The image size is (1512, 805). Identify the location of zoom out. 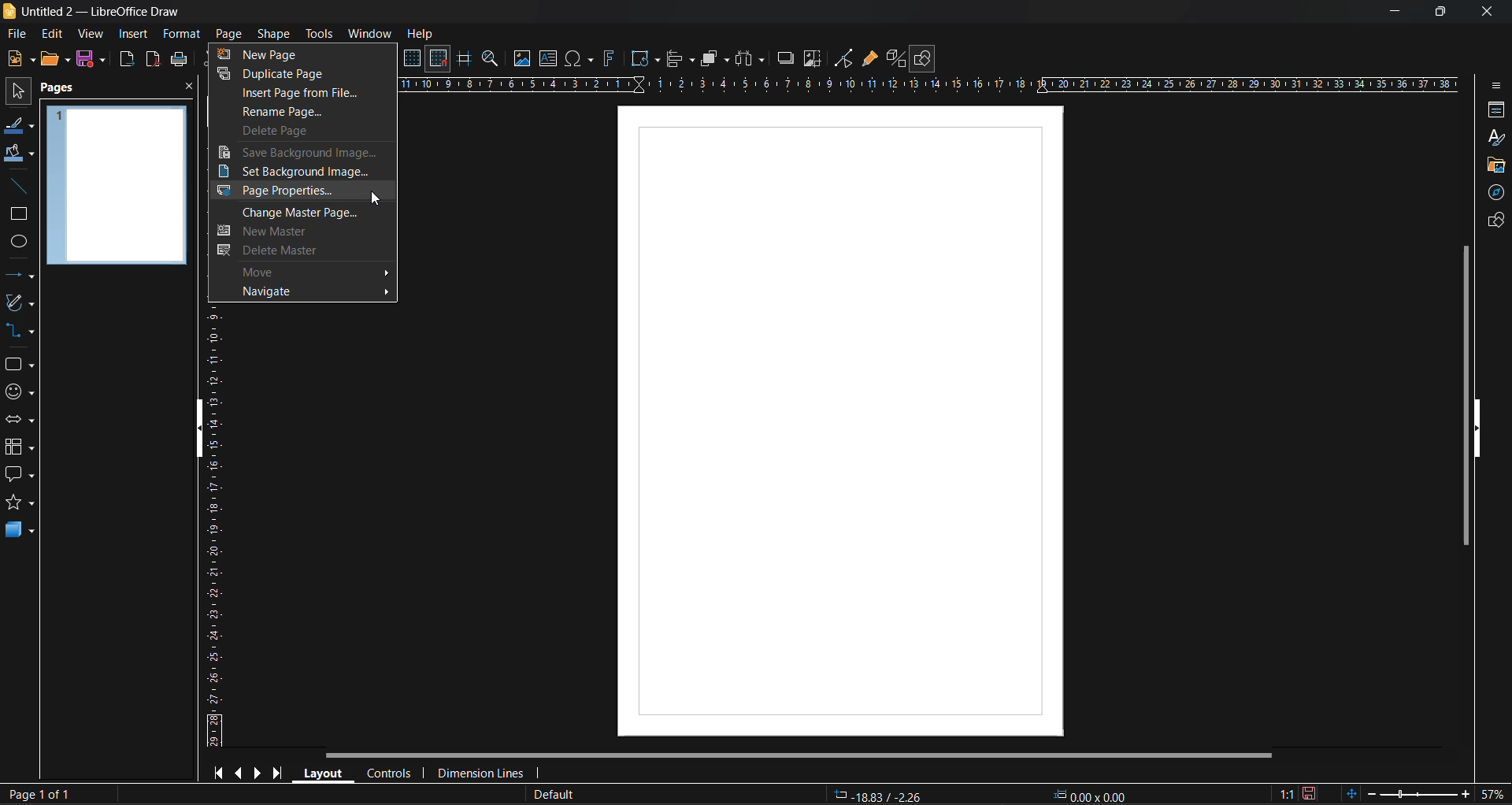
(1371, 793).